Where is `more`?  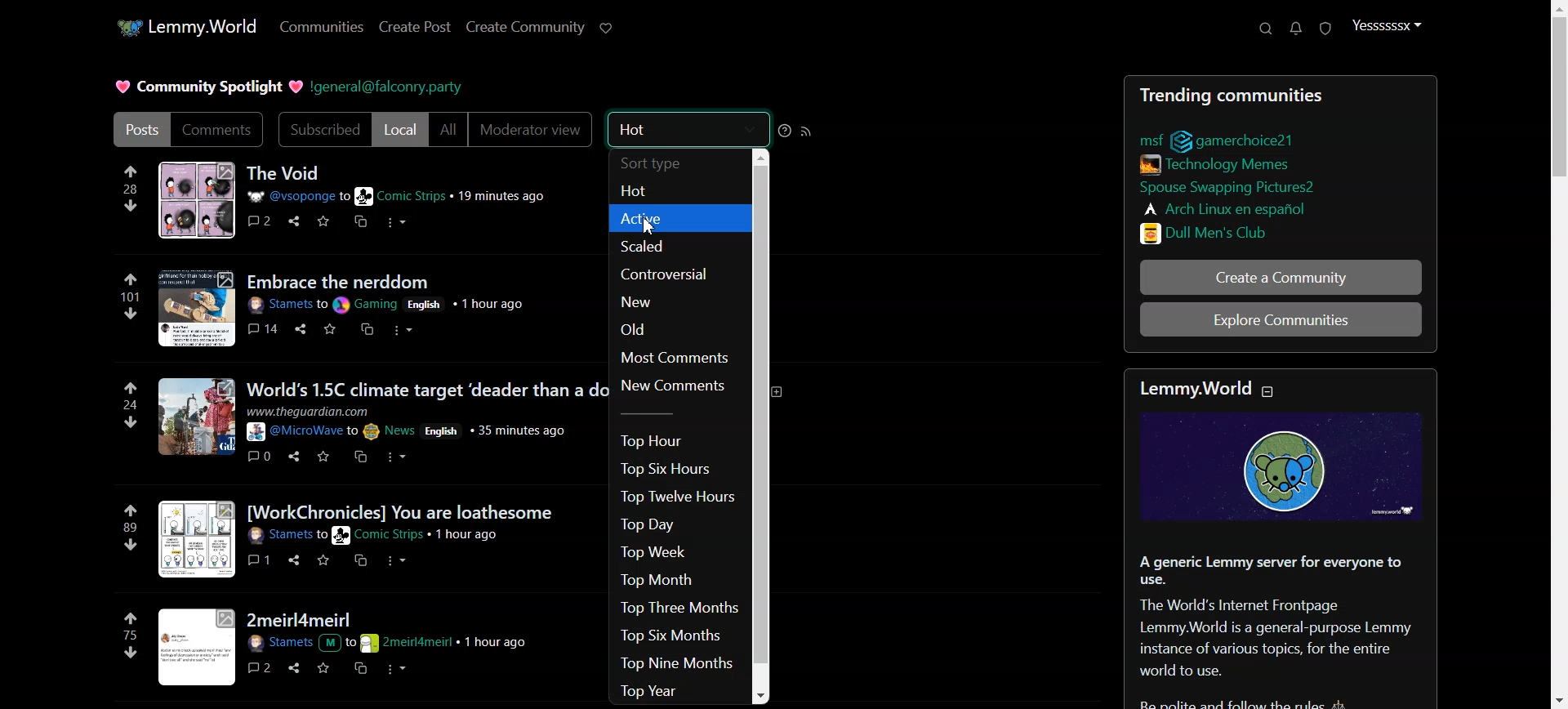
more is located at coordinates (396, 669).